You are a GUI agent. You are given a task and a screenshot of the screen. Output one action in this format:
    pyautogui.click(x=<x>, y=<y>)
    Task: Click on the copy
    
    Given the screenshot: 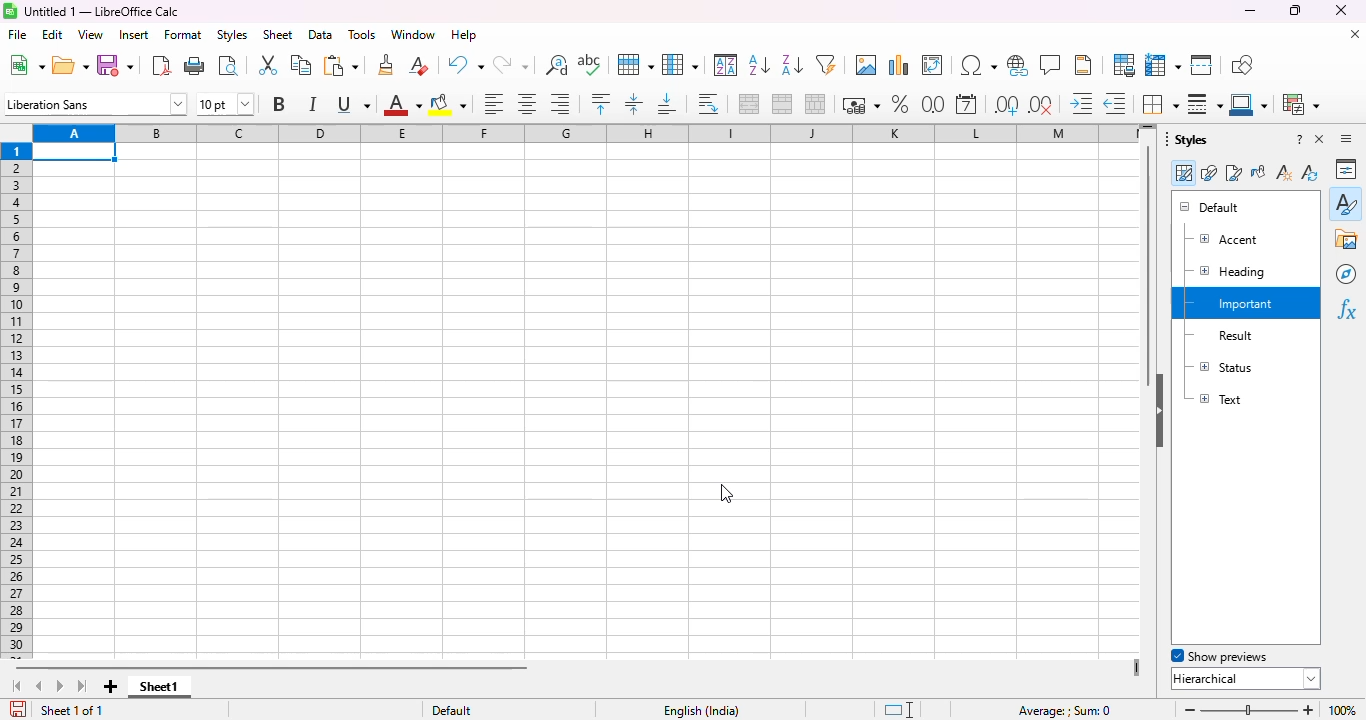 What is the action you would take?
    pyautogui.click(x=302, y=64)
    